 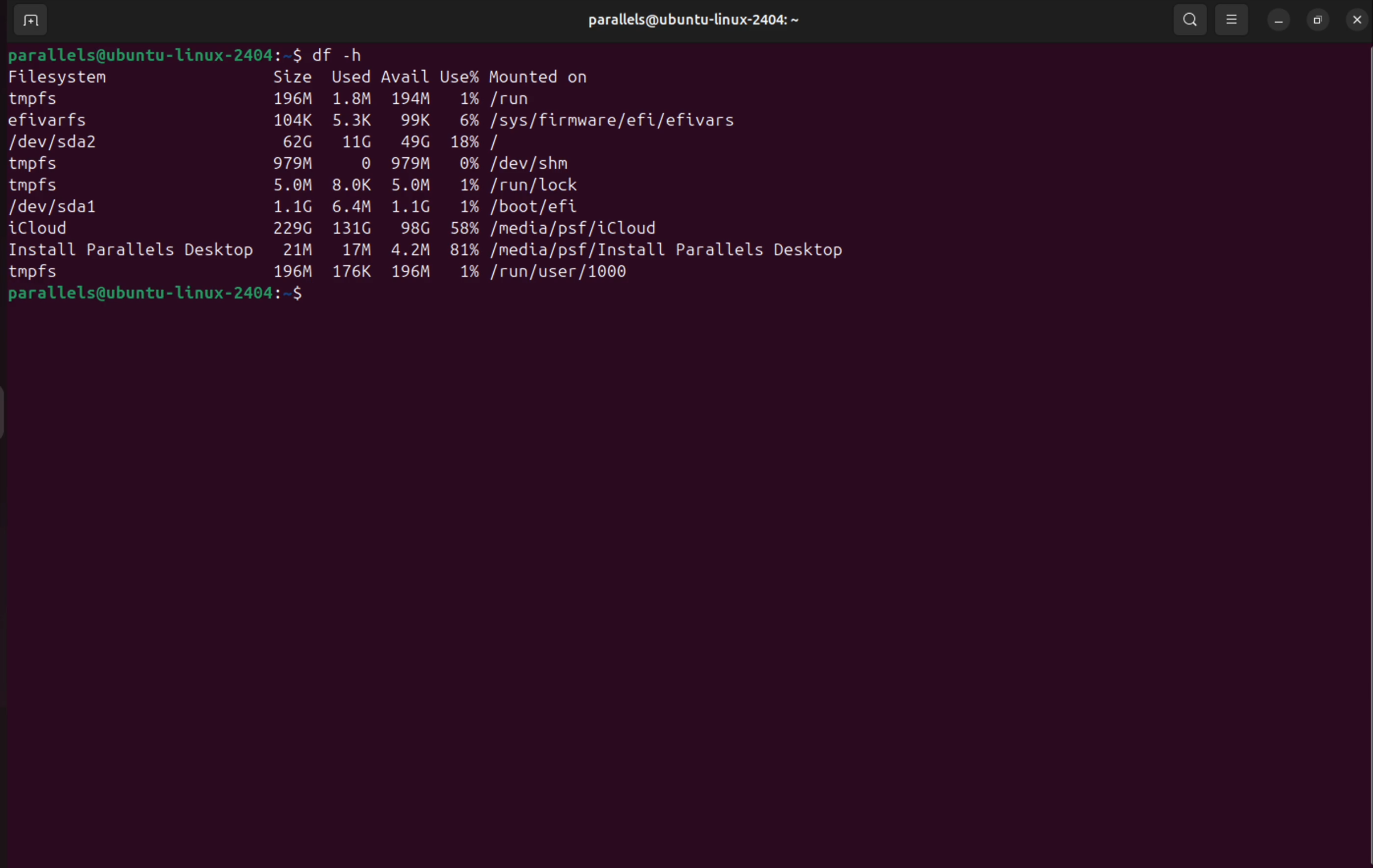 I want to click on parallels@ubuntu-linux-2404:~$, so click(x=196, y=295).